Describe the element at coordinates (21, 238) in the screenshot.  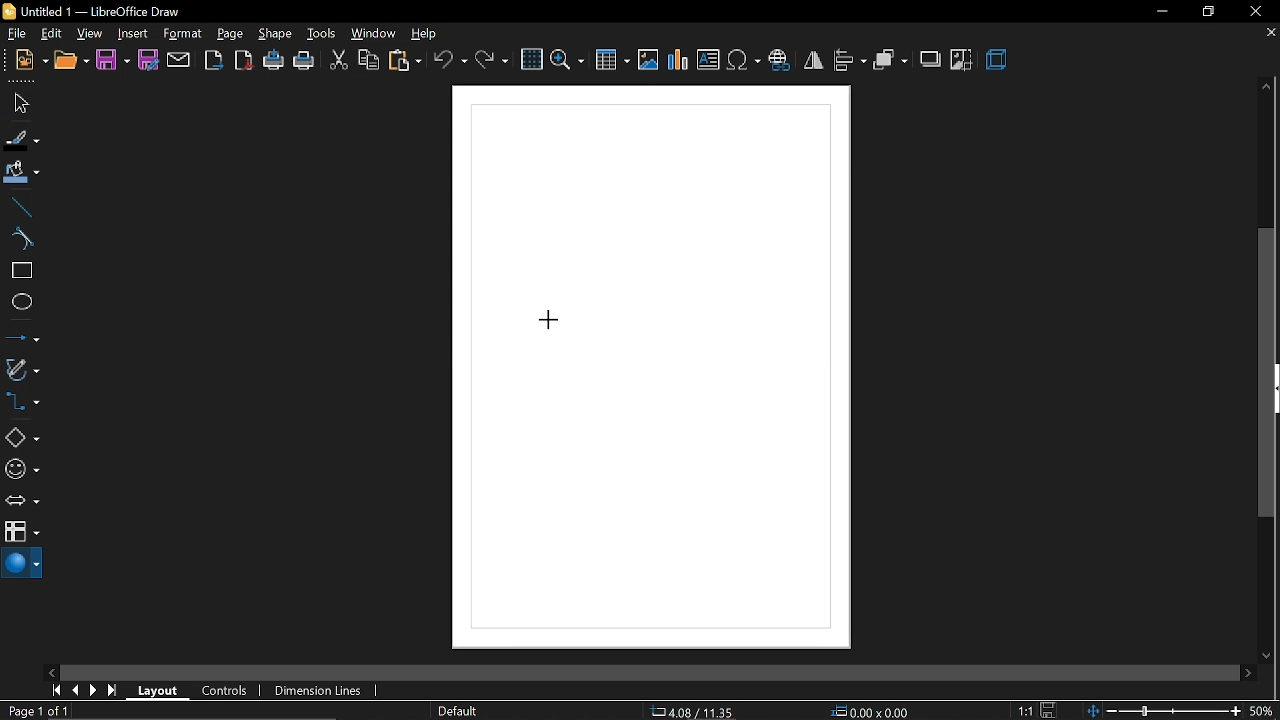
I see `curve` at that location.